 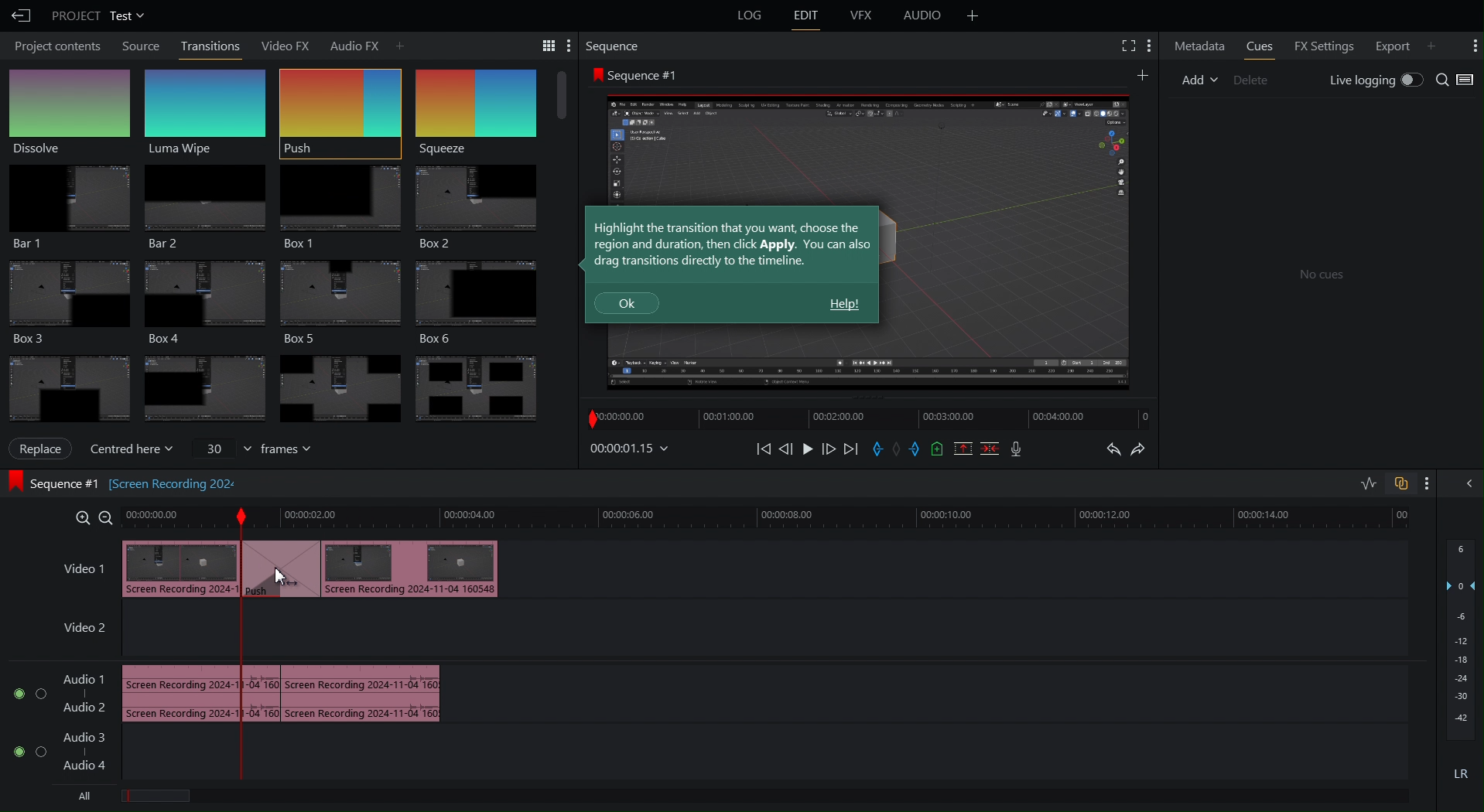 I want to click on Transitions, so click(x=275, y=389).